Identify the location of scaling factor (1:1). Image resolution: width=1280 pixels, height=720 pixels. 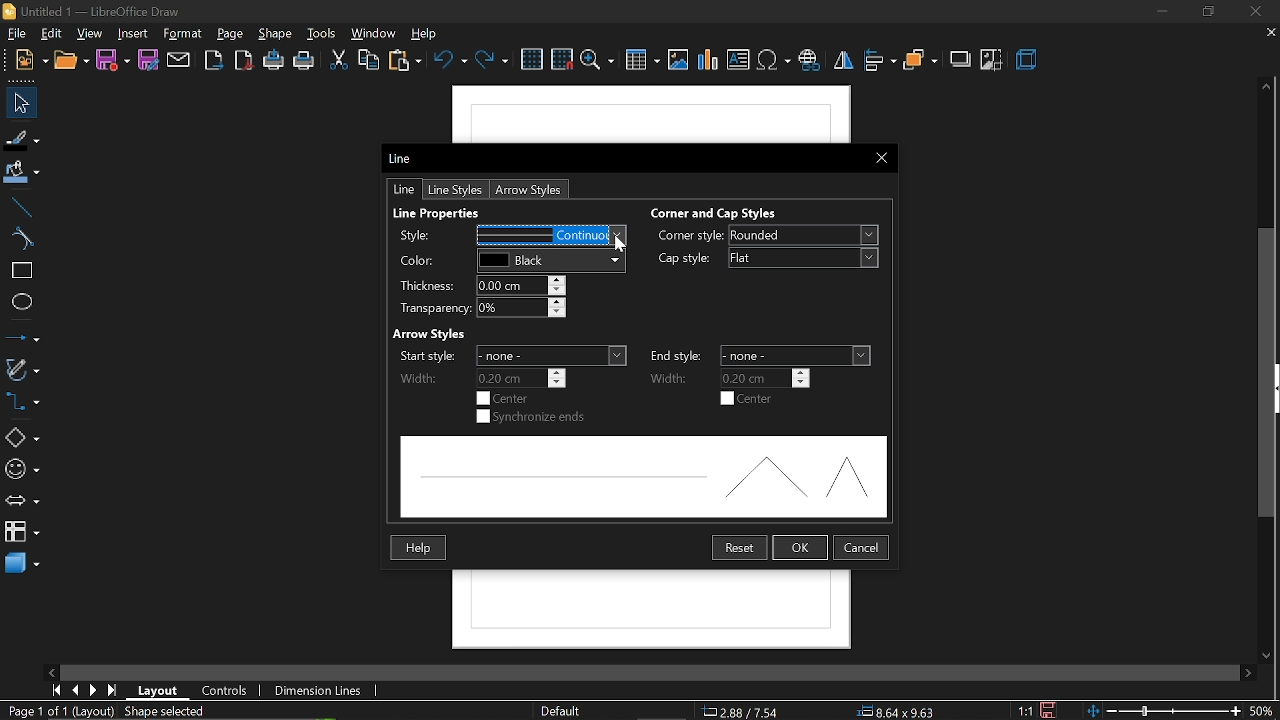
(1027, 711).